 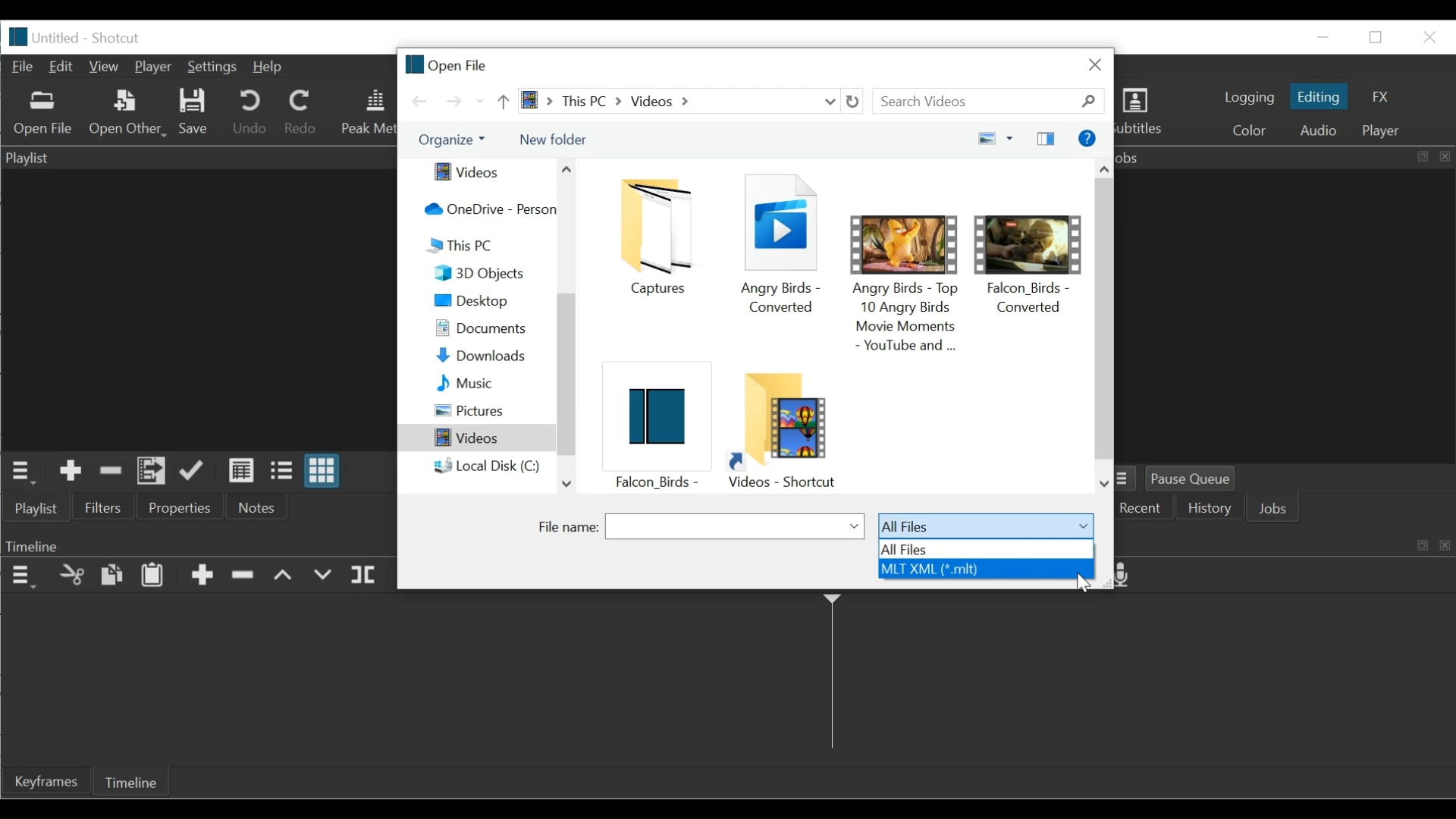 I want to click on Split at playhead, so click(x=366, y=576).